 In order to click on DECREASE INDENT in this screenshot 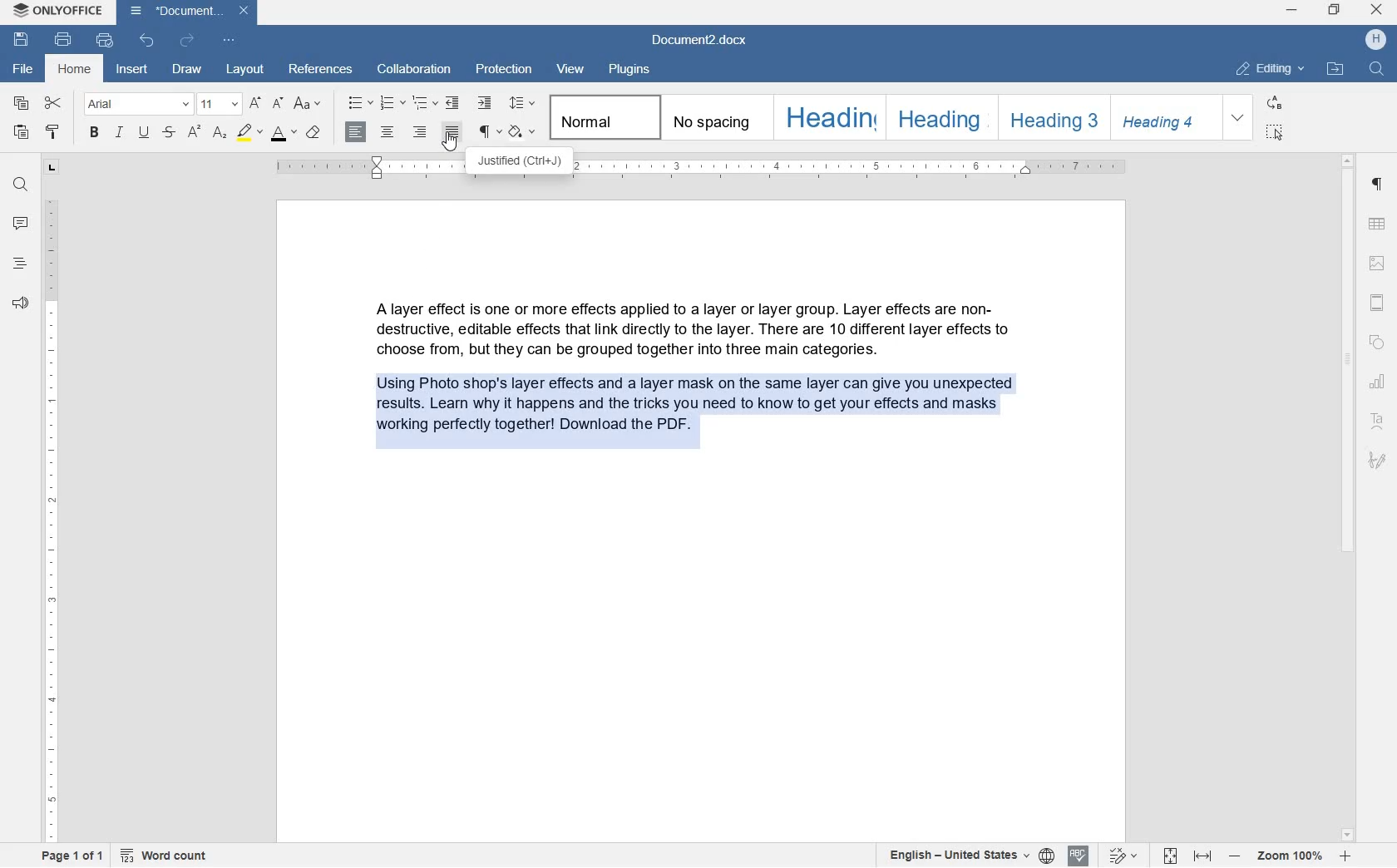, I will do `click(453, 104)`.